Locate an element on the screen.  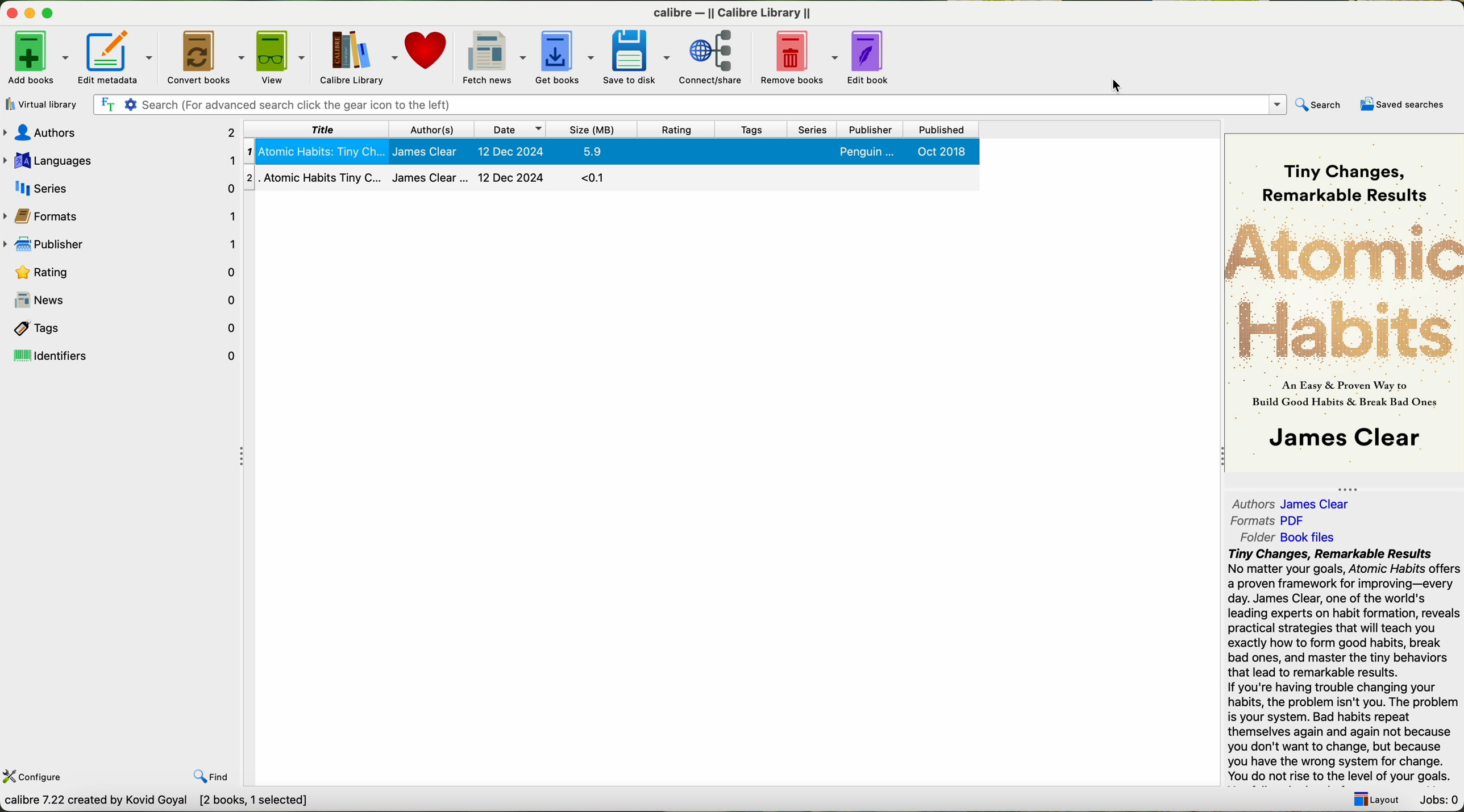
rating is located at coordinates (123, 270).